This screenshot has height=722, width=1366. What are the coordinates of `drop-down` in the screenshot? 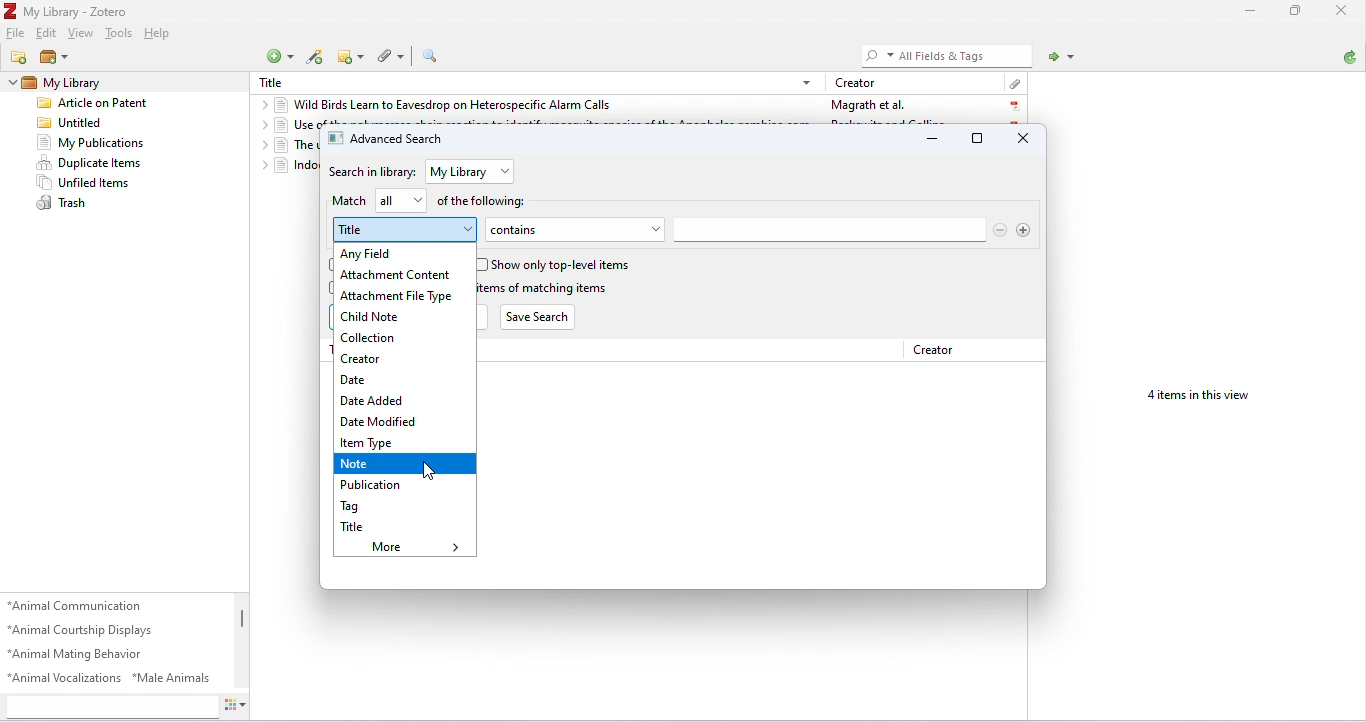 It's located at (468, 230).